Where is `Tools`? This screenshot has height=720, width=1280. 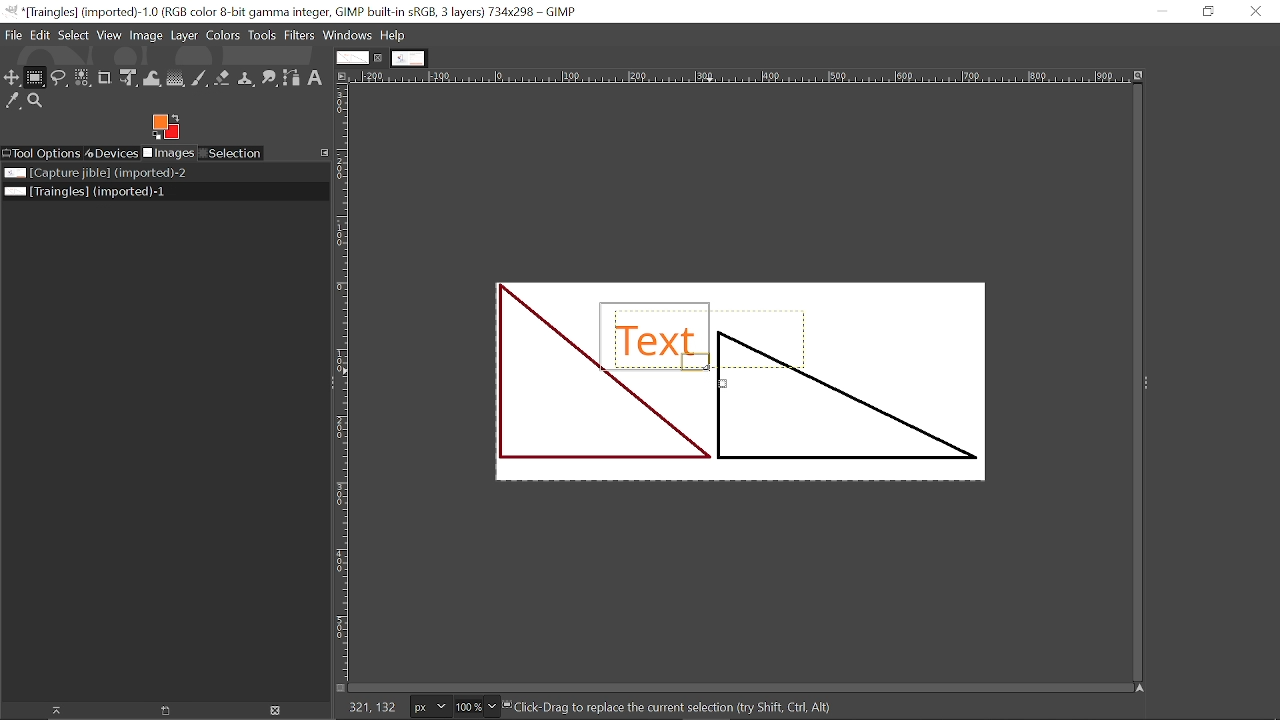
Tools is located at coordinates (262, 37).